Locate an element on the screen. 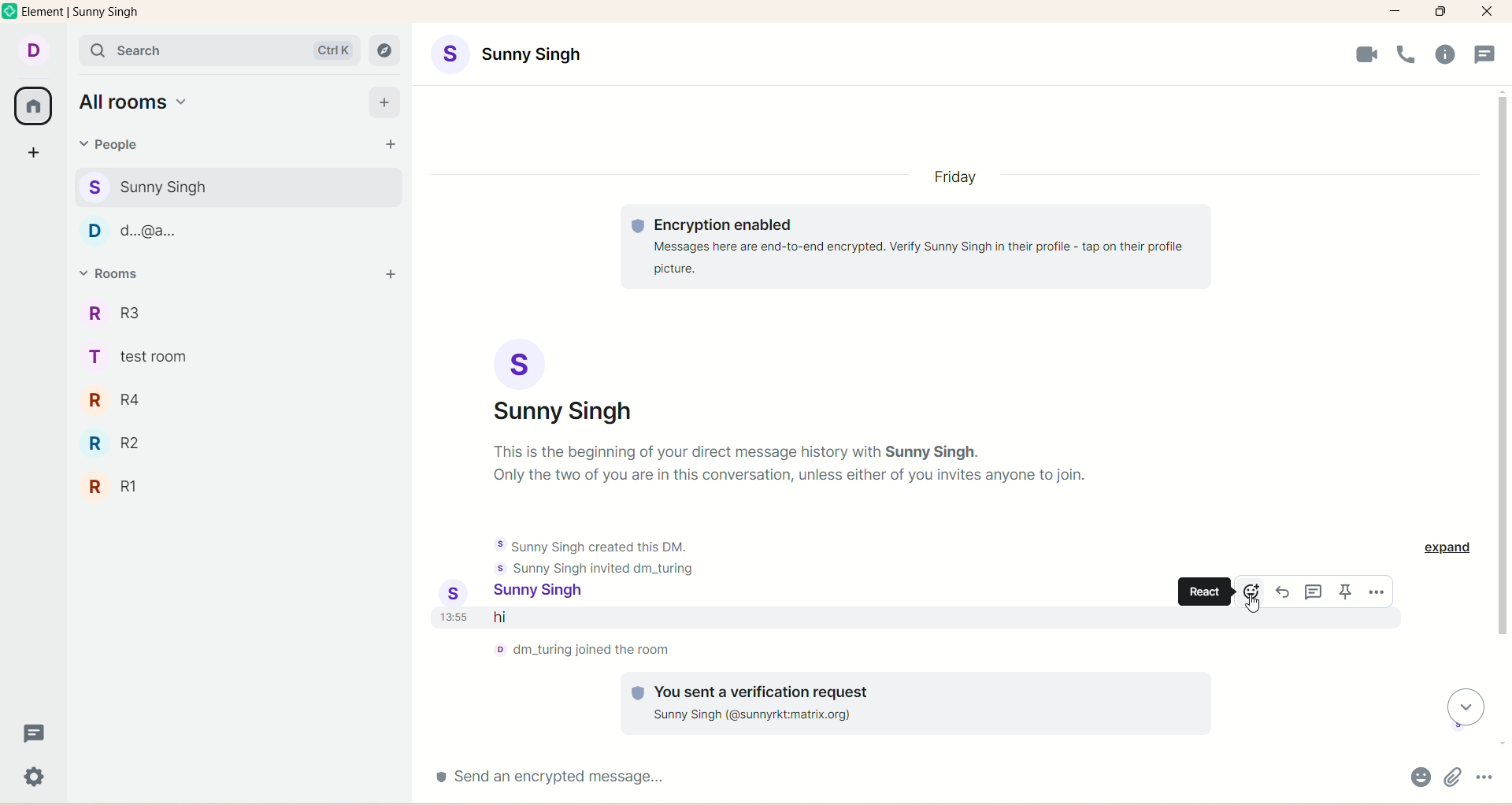  threads is located at coordinates (1314, 592).